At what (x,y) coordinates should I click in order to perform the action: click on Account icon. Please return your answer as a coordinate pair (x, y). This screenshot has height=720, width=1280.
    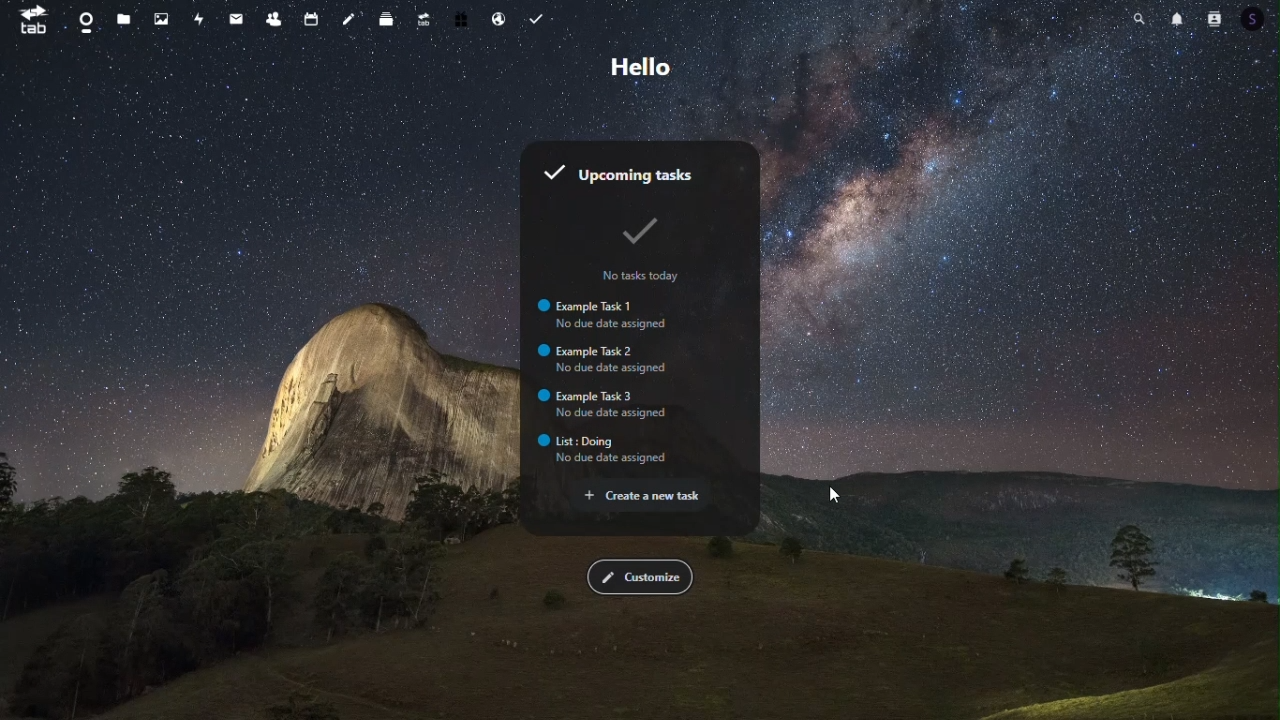
    Looking at the image, I should click on (1255, 19).